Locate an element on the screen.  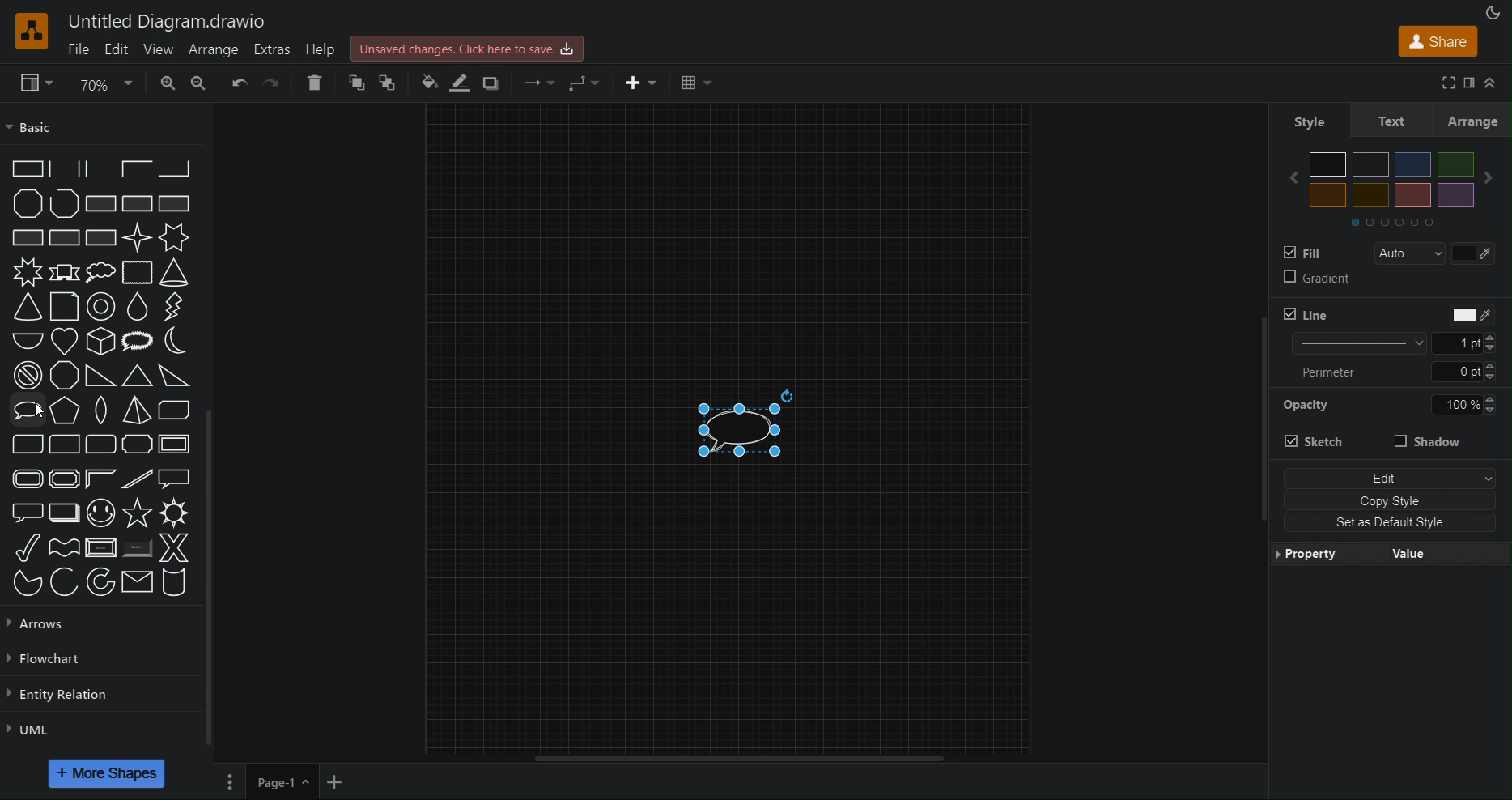
Isometric Cube is located at coordinates (100, 341).